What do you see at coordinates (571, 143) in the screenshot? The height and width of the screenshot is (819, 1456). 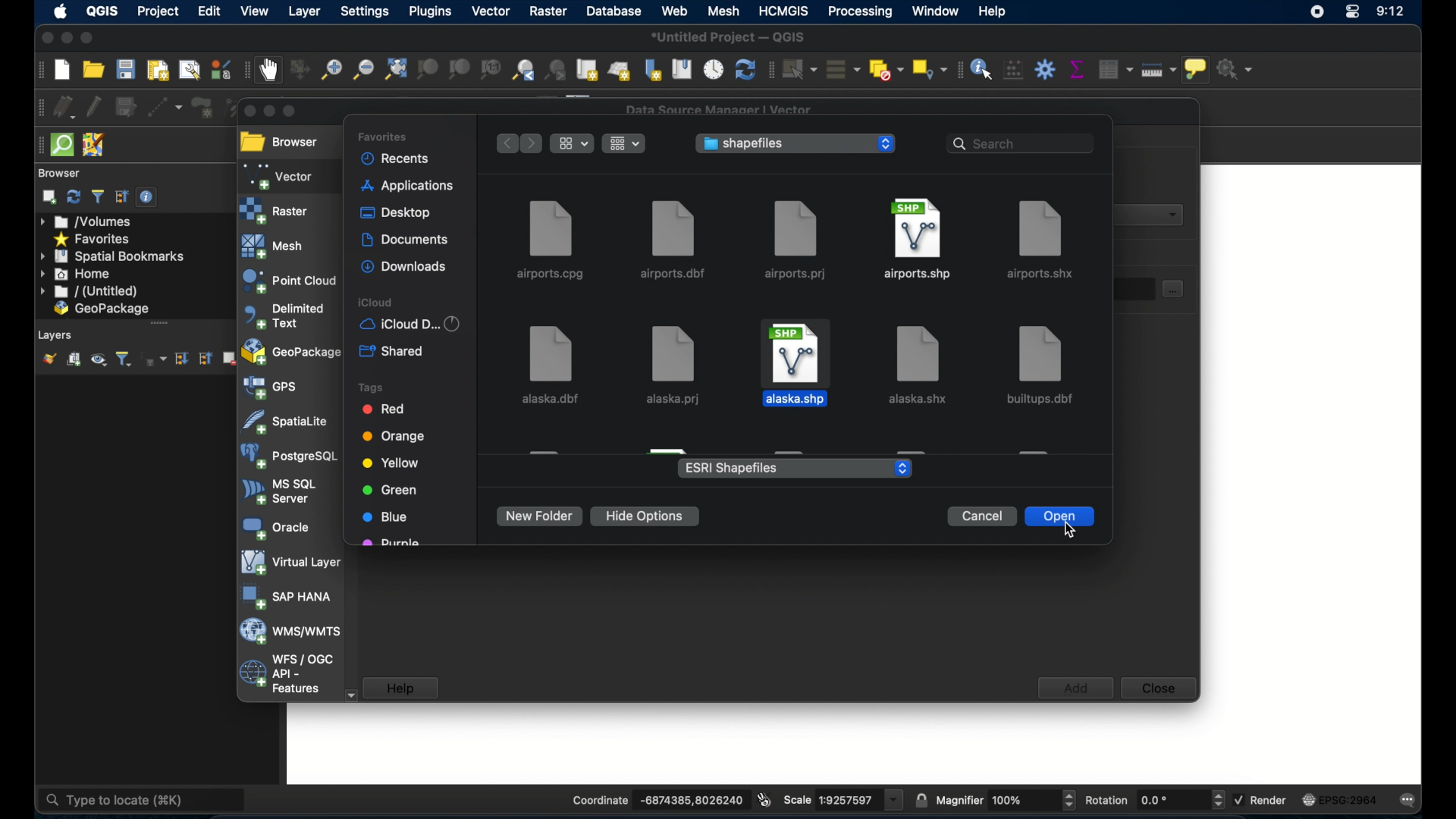 I see `show items as icons, list or gallery` at bounding box center [571, 143].